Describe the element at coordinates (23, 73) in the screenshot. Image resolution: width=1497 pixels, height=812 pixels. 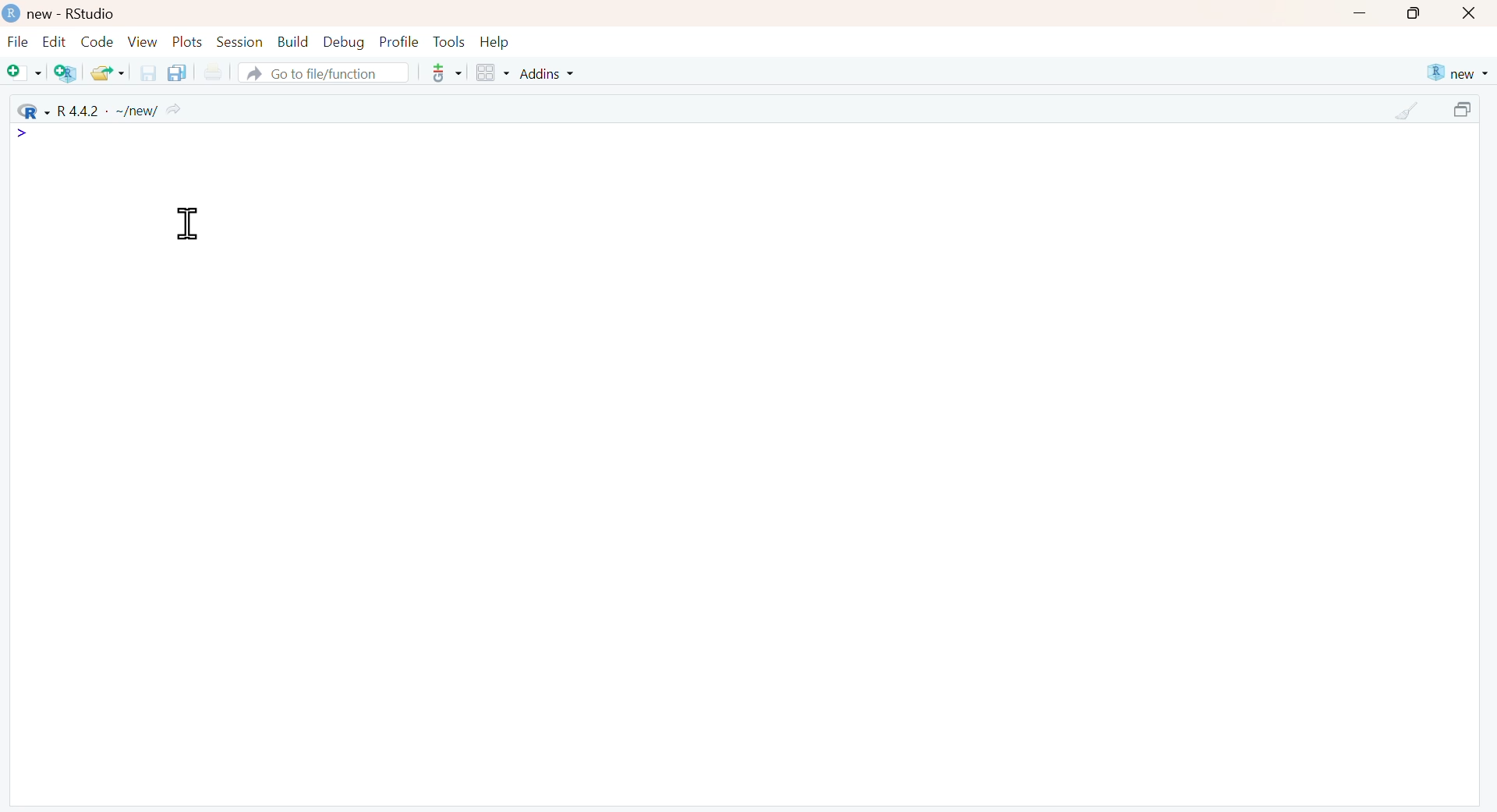
I see `New file` at that location.